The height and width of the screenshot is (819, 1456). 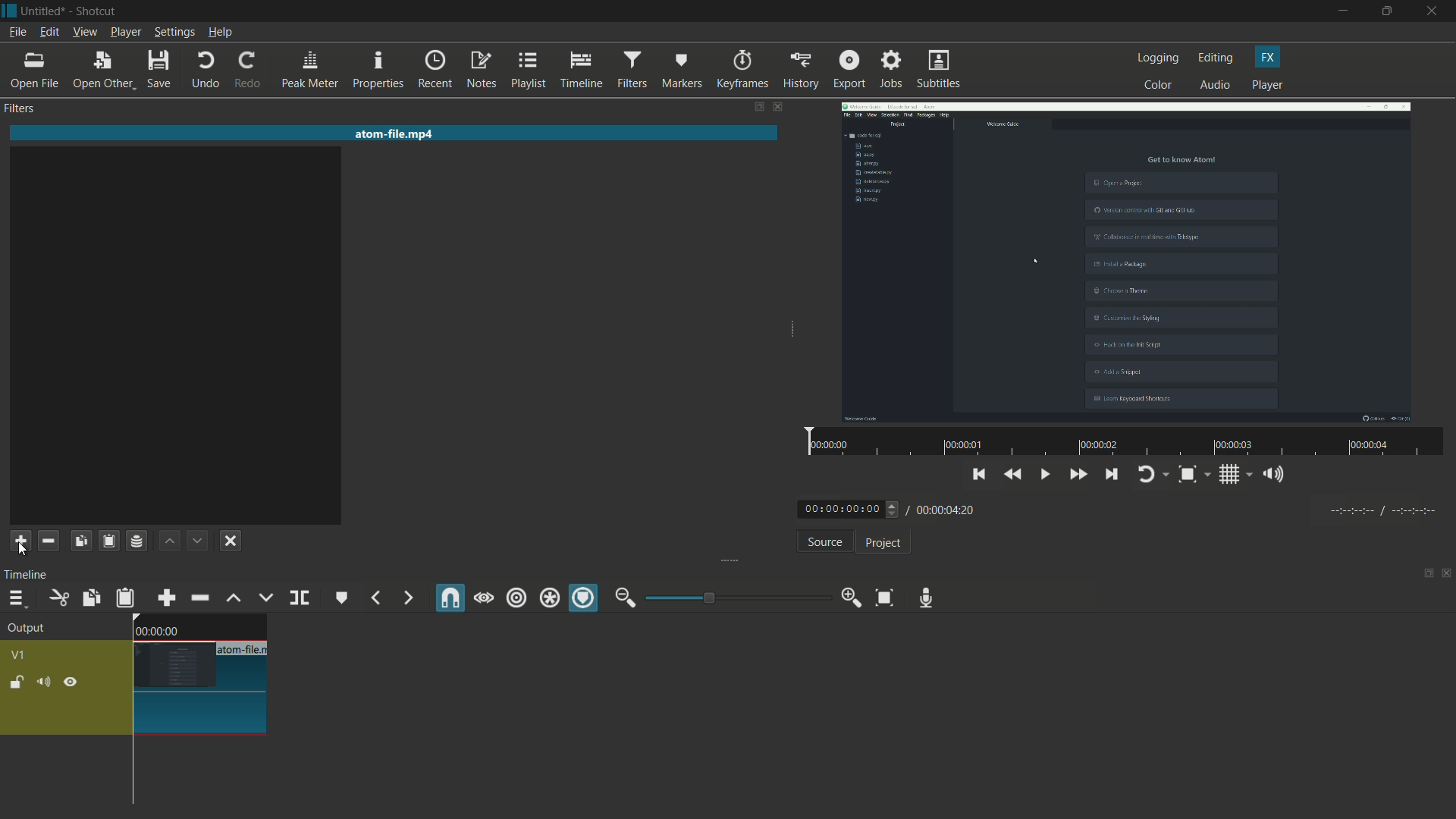 I want to click on move filter down, so click(x=199, y=541).